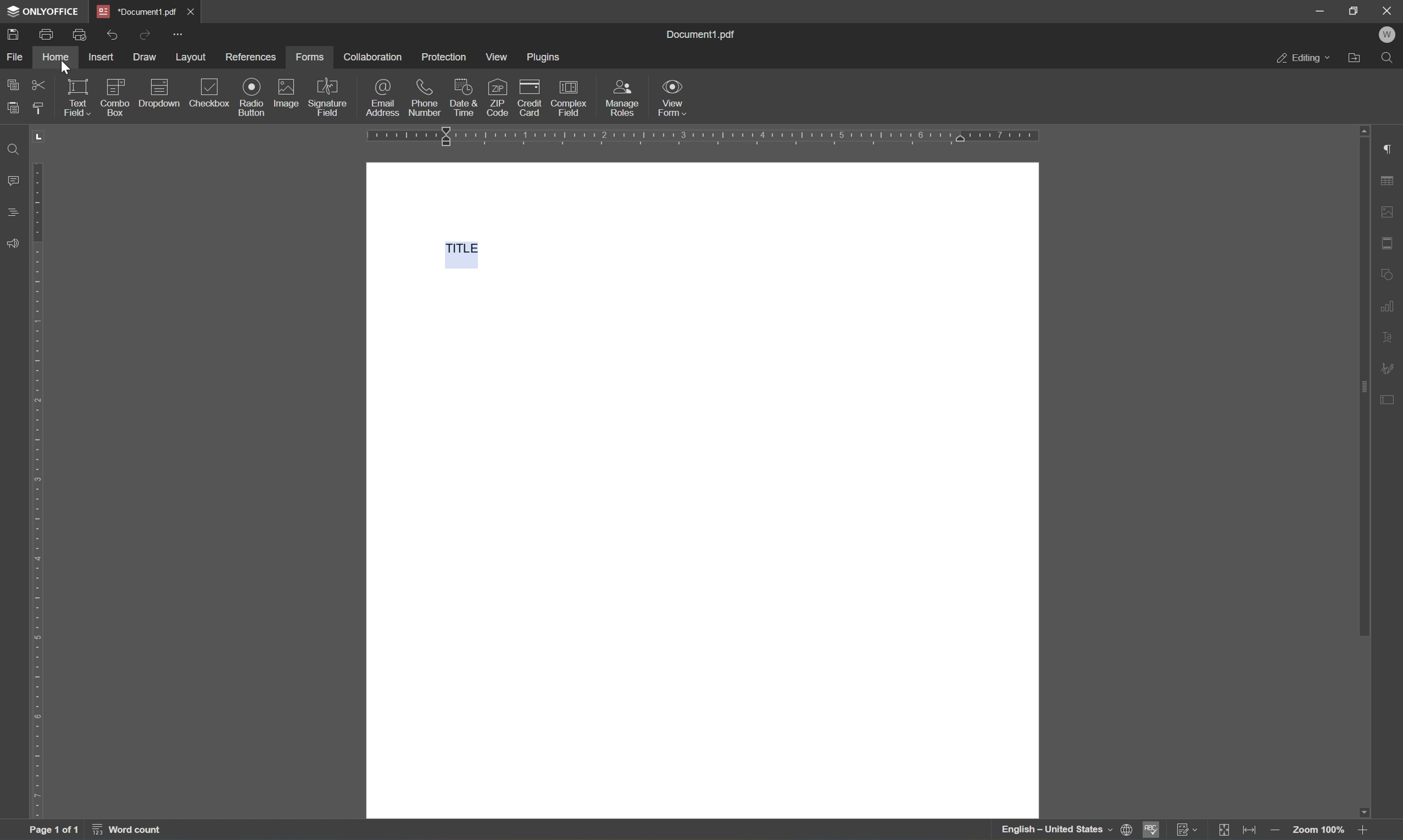 This screenshot has height=840, width=1403. I want to click on feedback & support, so click(13, 244).